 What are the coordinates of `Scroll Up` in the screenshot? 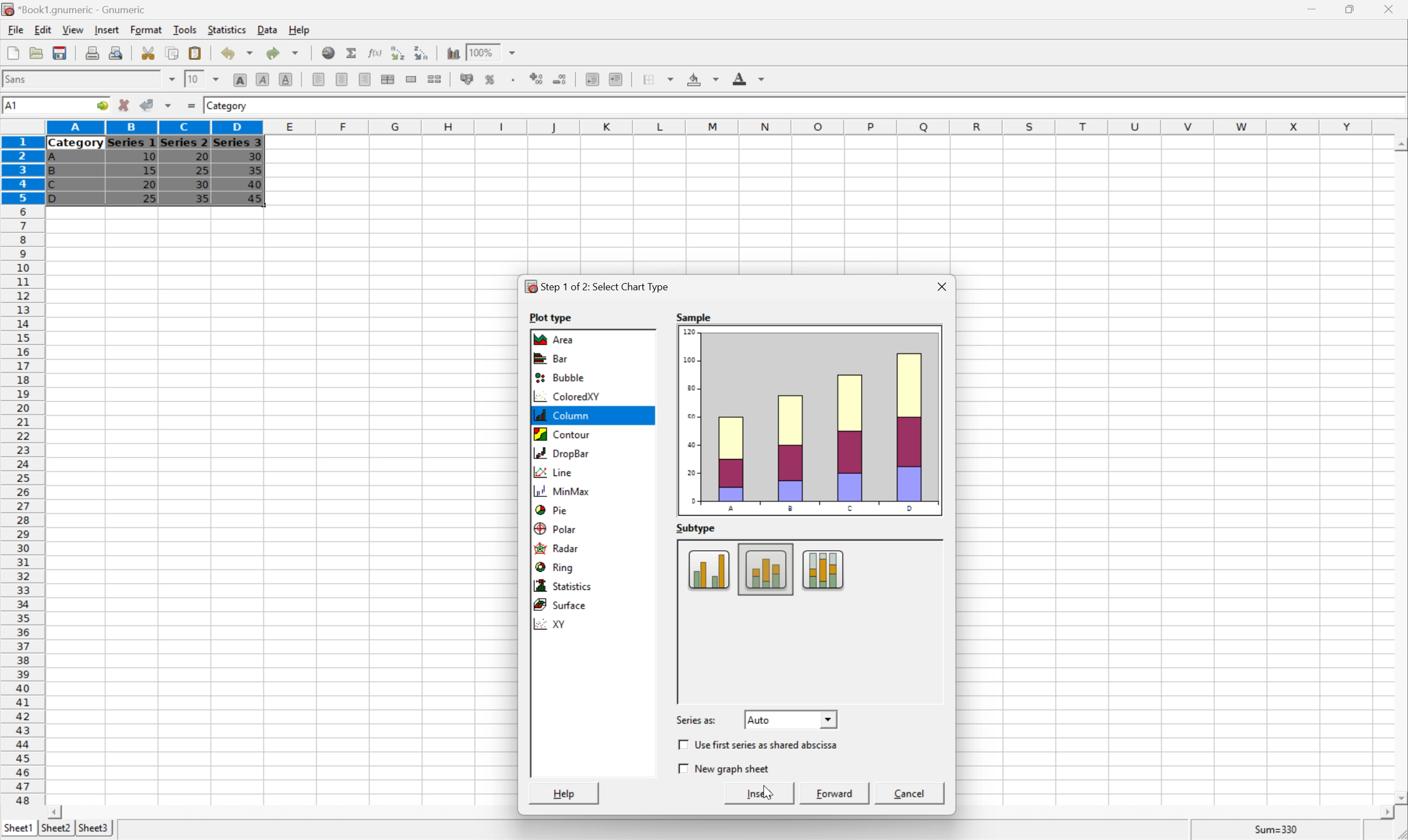 It's located at (938, 546).